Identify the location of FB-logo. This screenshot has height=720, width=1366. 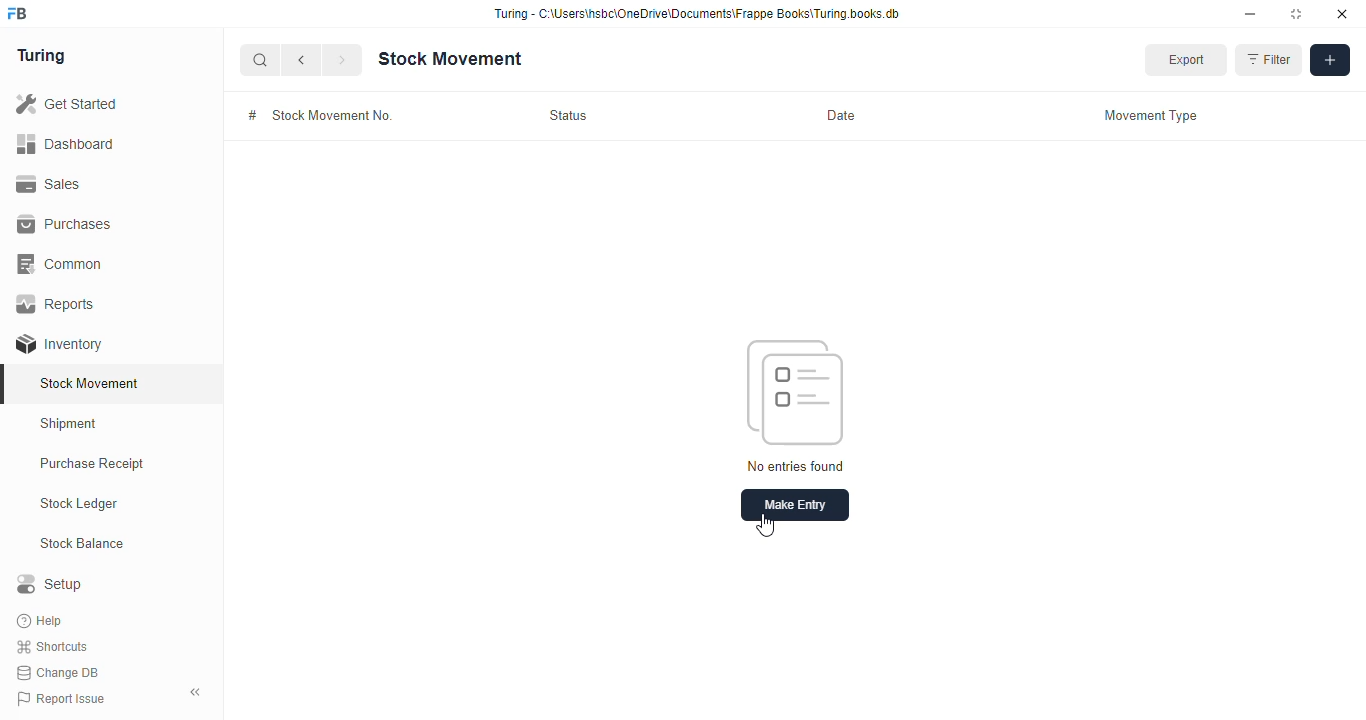
(17, 13).